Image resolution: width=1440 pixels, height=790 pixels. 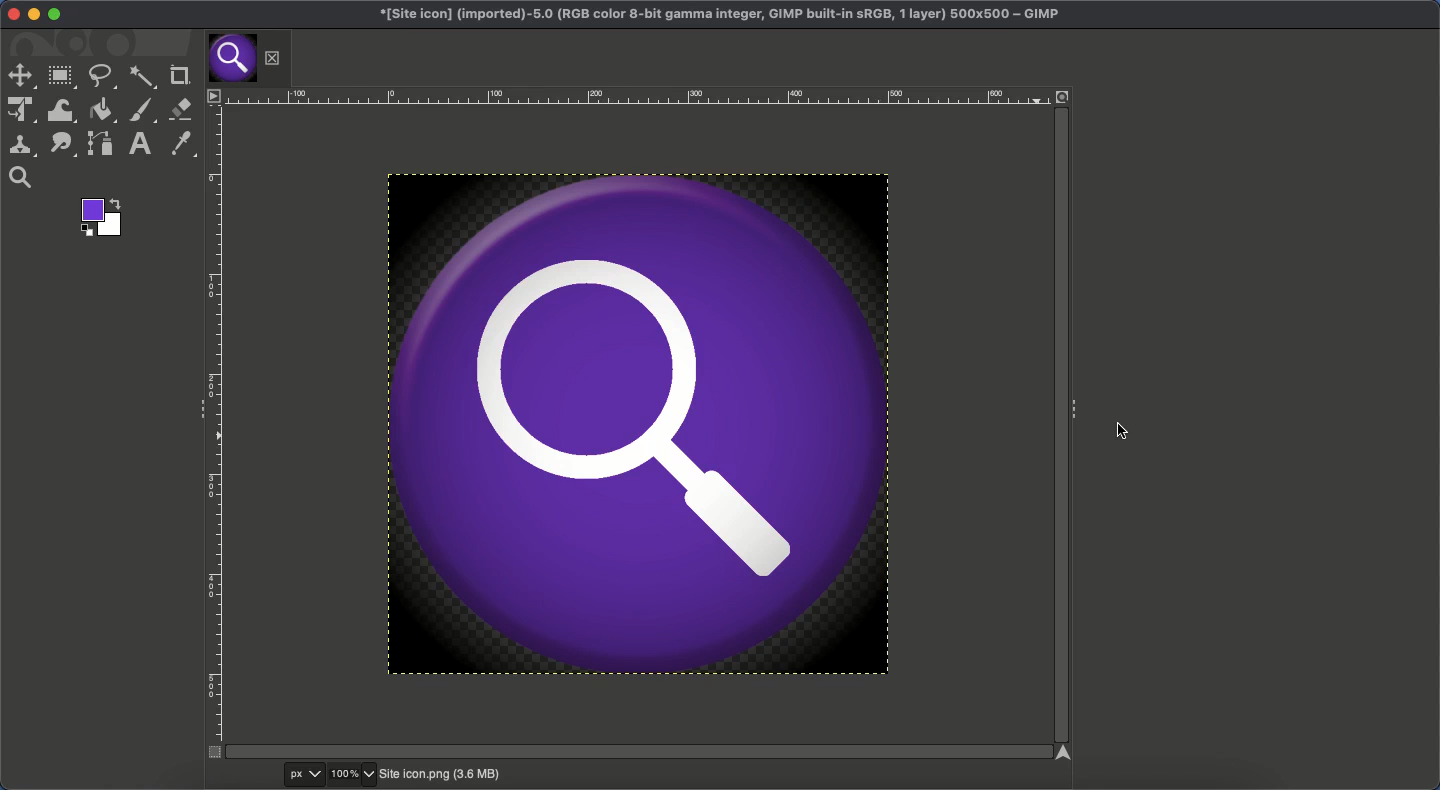 I want to click on Ruler, so click(x=633, y=96).